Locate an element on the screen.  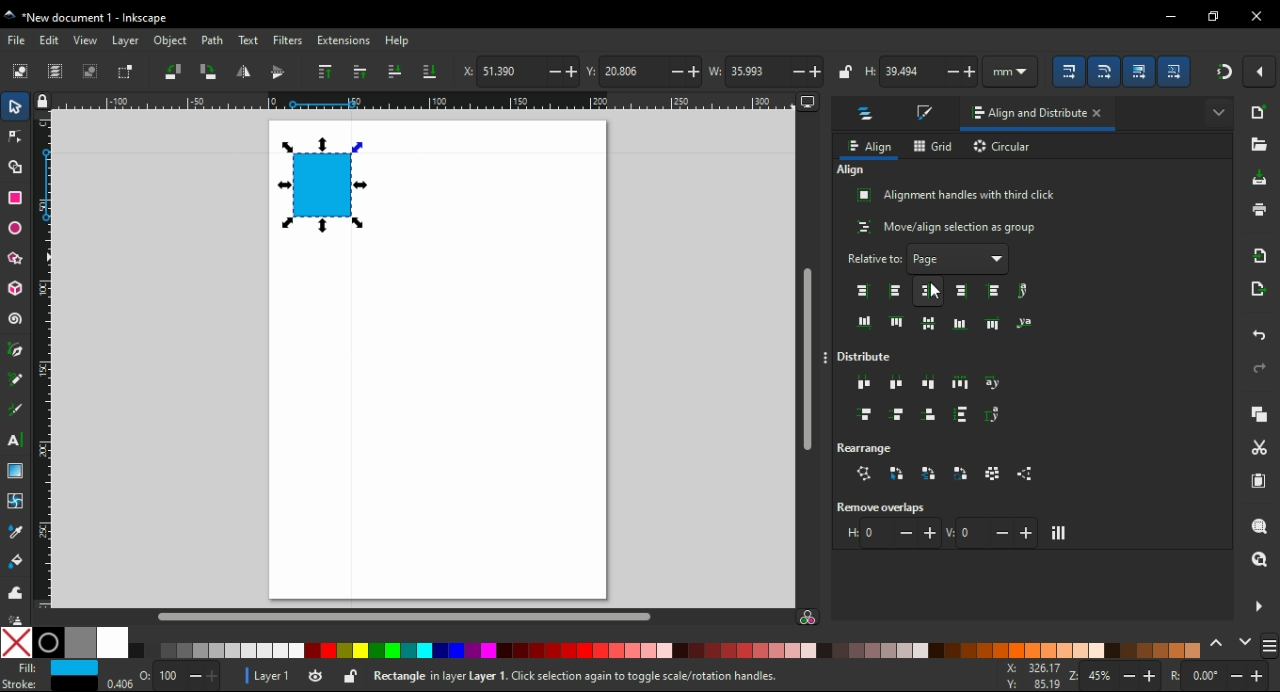
align right edges is located at coordinates (963, 291).